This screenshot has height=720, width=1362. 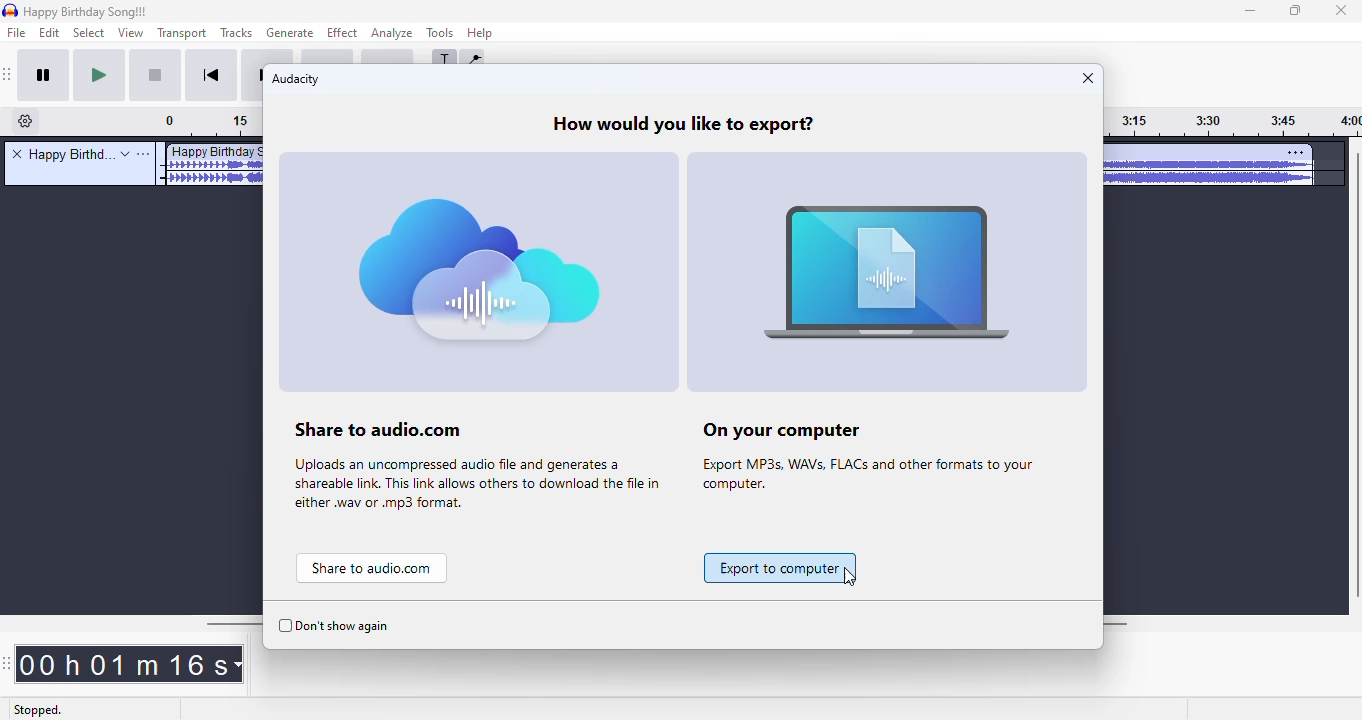 What do you see at coordinates (144, 154) in the screenshot?
I see `open menu` at bounding box center [144, 154].